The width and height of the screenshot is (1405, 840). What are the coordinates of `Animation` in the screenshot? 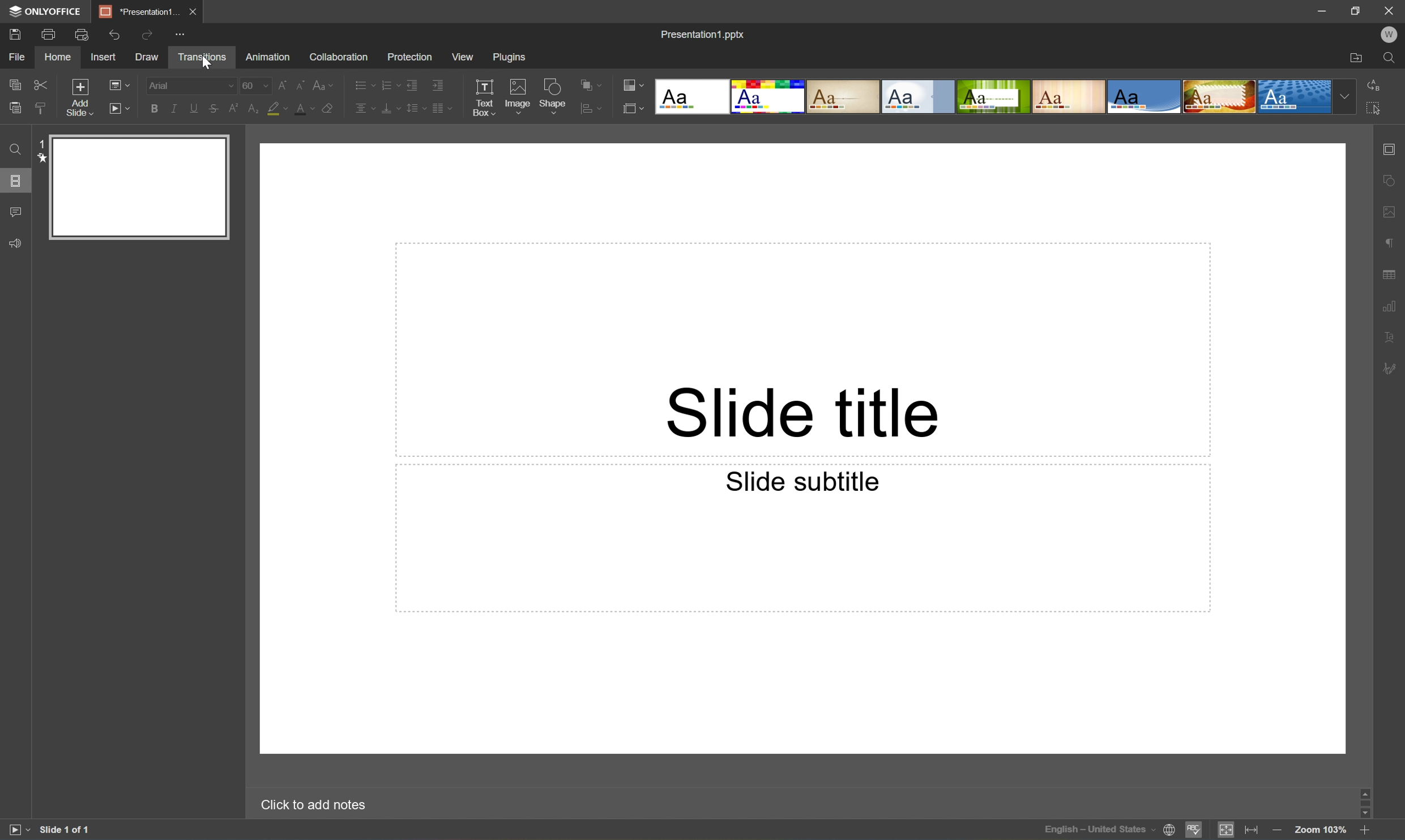 It's located at (268, 57).